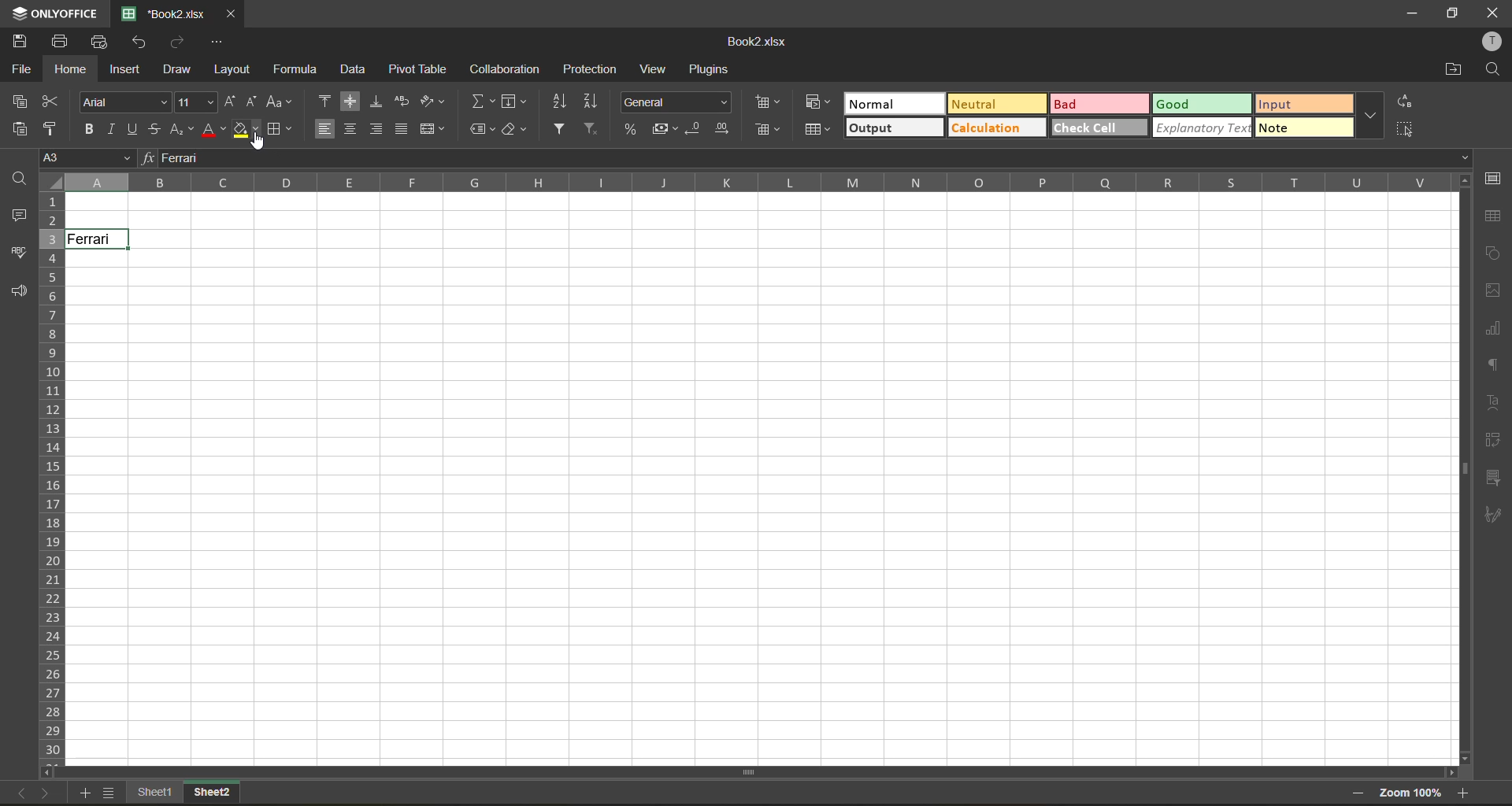 This screenshot has width=1512, height=806. Describe the element at coordinates (756, 39) in the screenshot. I see `file name` at that location.